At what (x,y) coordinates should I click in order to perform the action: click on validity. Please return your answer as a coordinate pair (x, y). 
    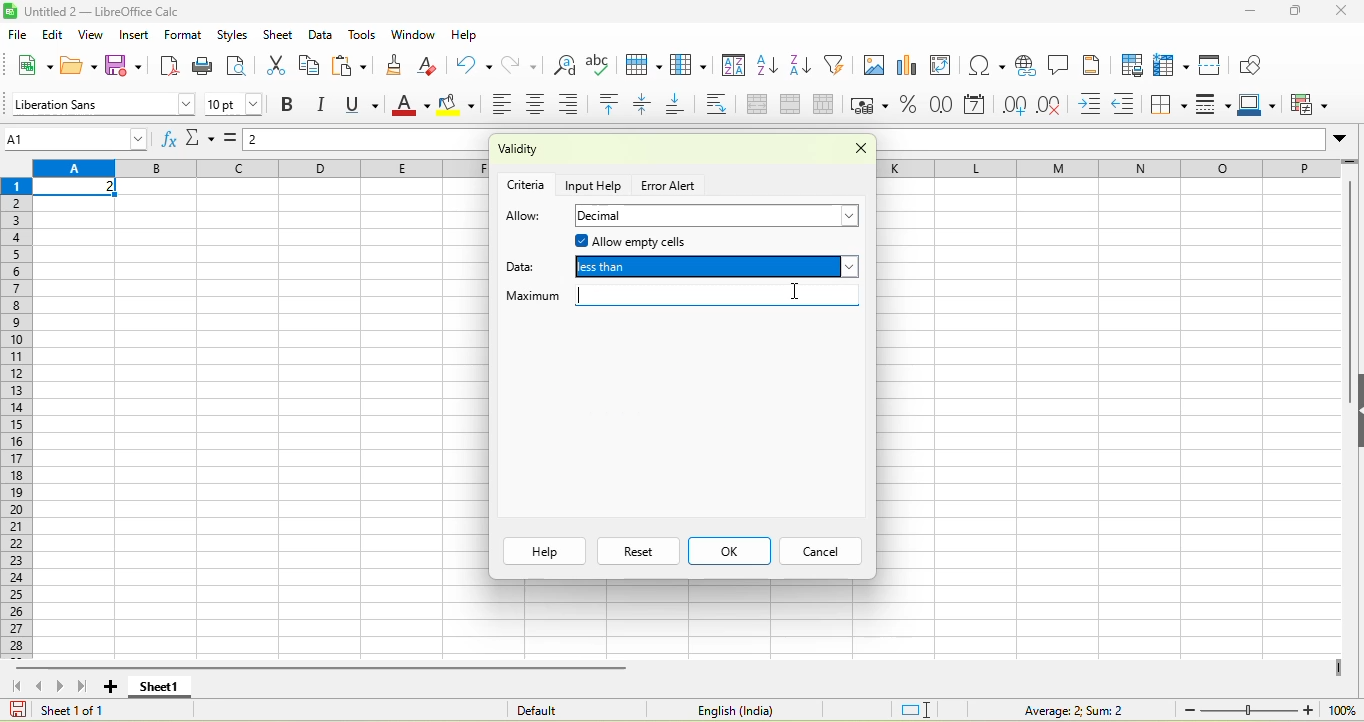
    Looking at the image, I should click on (572, 151).